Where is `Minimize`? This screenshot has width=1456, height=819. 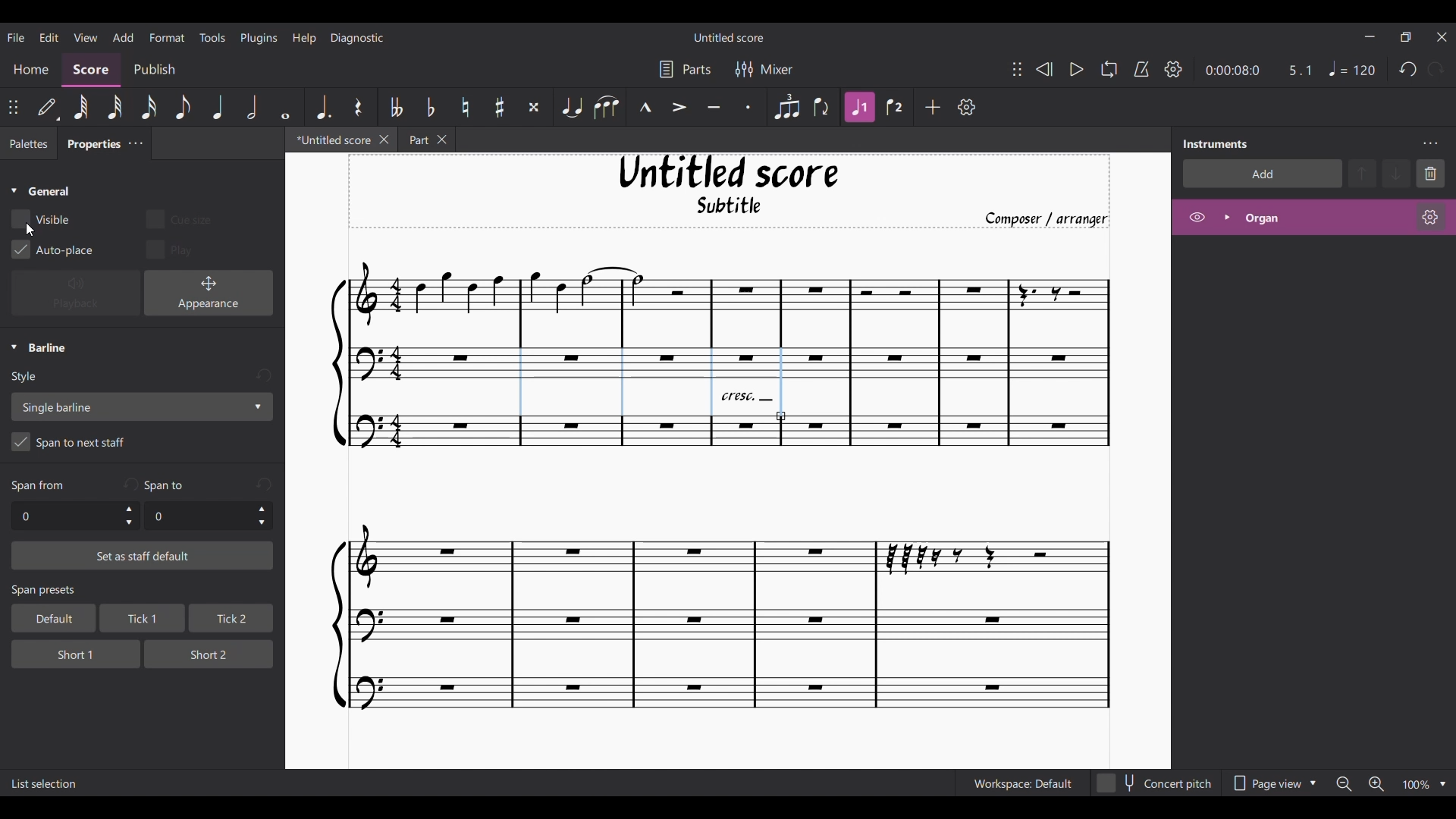
Minimize is located at coordinates (1370, 36).